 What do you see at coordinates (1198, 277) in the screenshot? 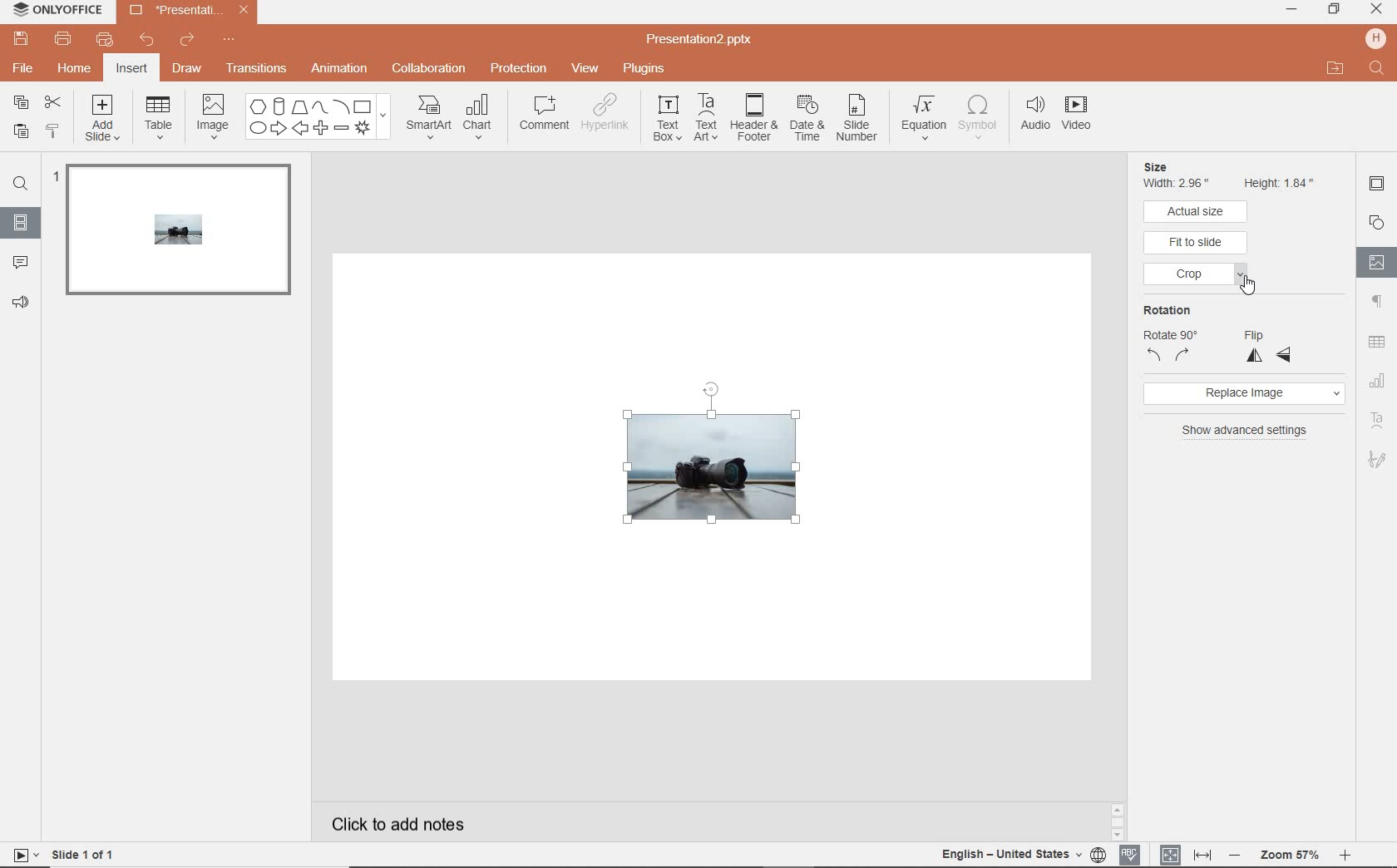
I see `crop` at bounding box center [1198, 277].